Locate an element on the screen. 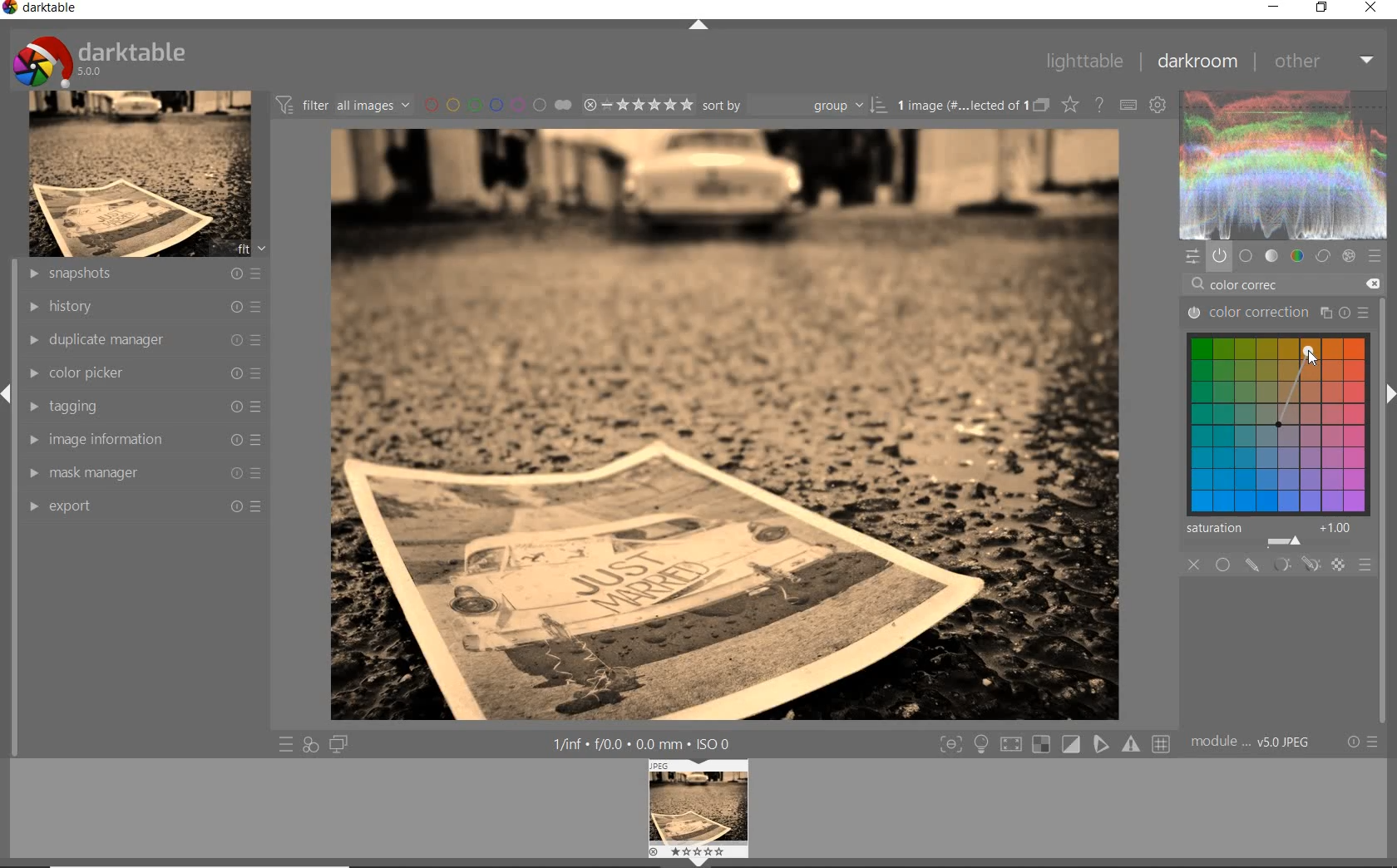  display a second darkroom image window is located at coordinates (338, 744).